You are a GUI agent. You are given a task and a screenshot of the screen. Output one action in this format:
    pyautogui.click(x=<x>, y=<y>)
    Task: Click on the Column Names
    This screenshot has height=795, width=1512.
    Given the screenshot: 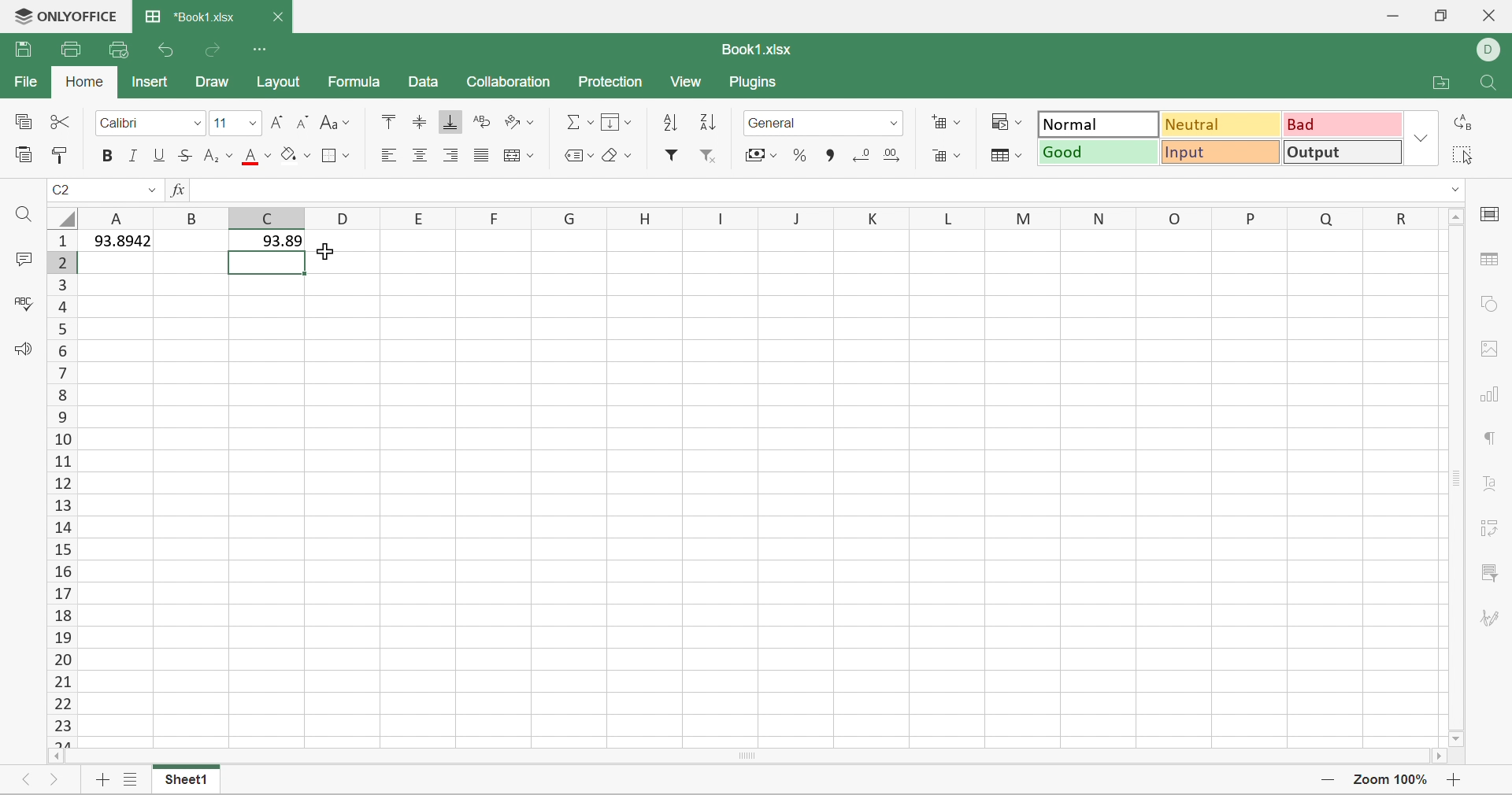 What is the action you would take?
    pyautogui.click(x=759, y=216)
    